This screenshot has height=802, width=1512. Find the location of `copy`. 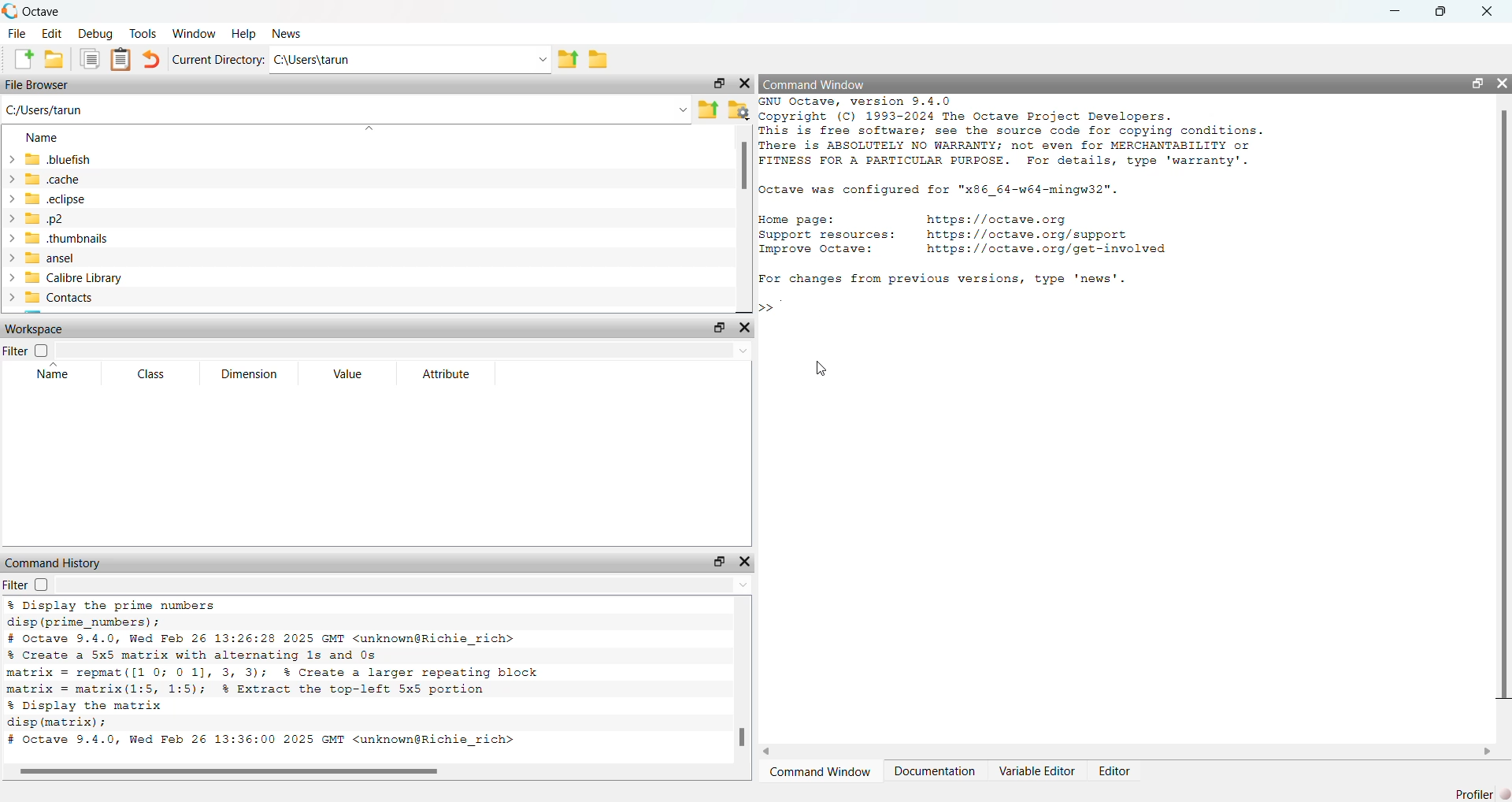

copy is located at coordinates (91, 61).